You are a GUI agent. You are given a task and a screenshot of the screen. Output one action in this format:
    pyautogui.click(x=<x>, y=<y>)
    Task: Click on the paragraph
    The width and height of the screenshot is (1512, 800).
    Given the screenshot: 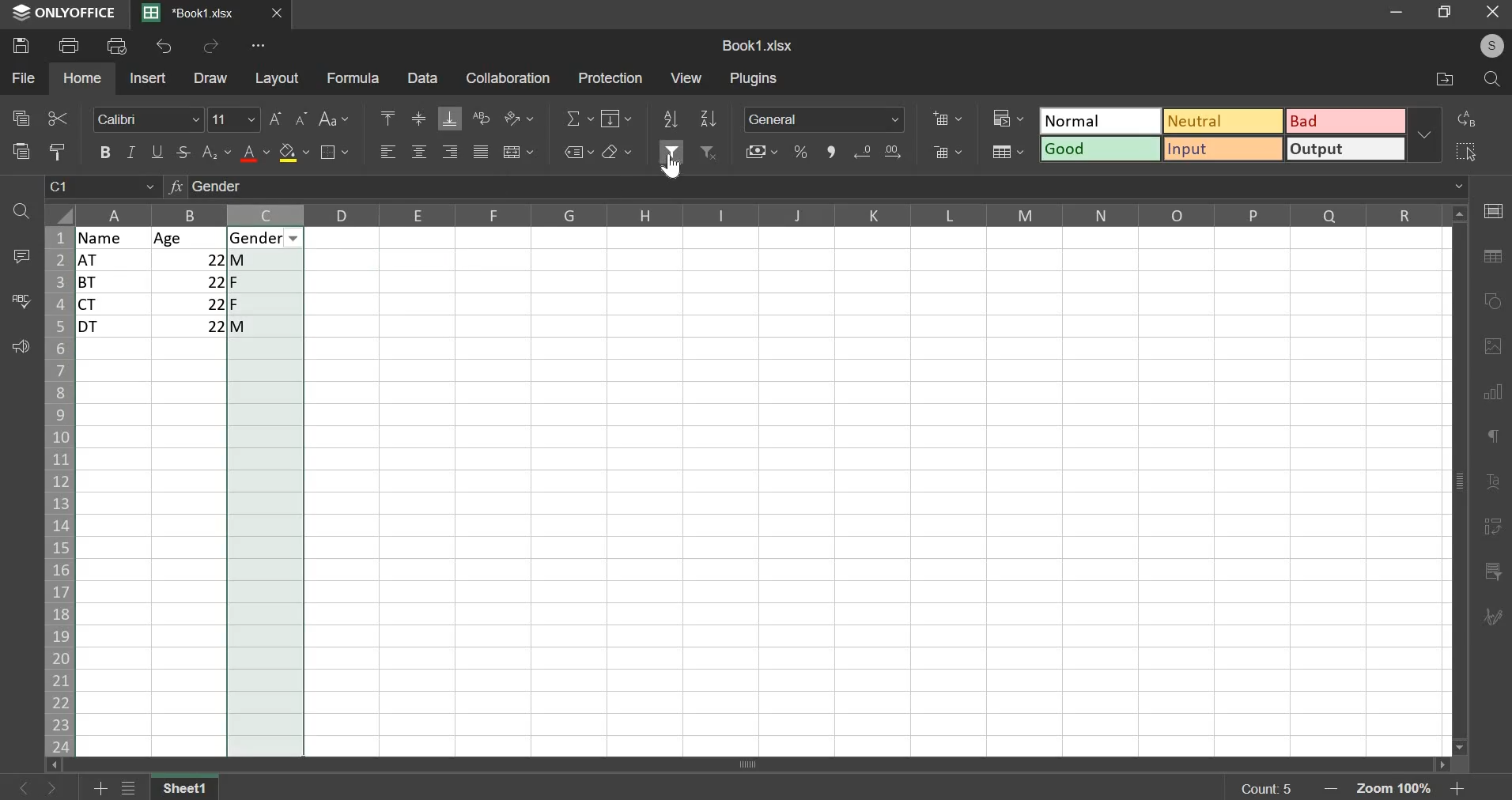 What is the action you would take?
    pyautogui.click(x=1490, y=436)
    